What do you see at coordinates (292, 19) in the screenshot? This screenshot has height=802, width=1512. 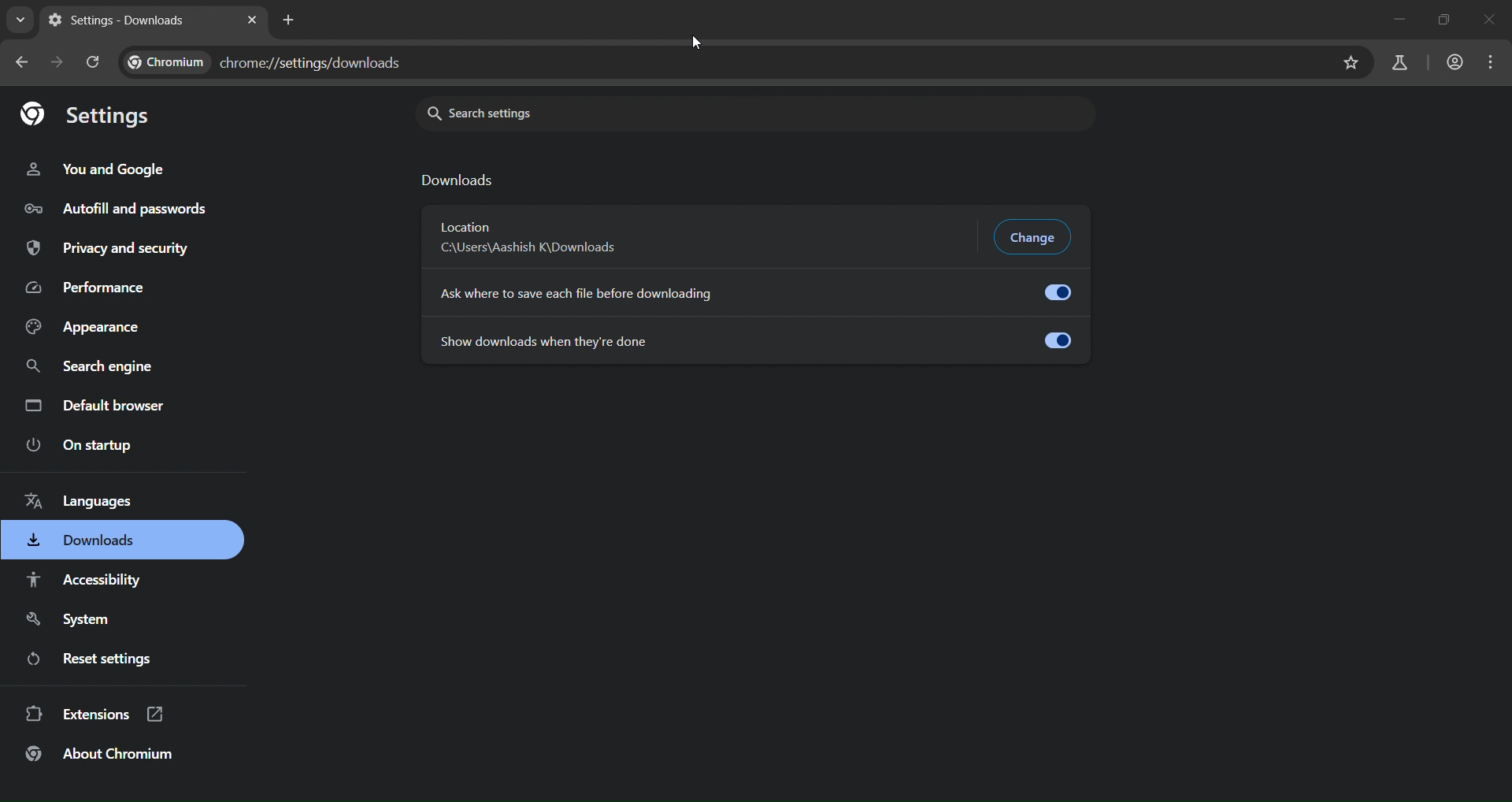 I see `new tab` at bounding box center [292, 19].